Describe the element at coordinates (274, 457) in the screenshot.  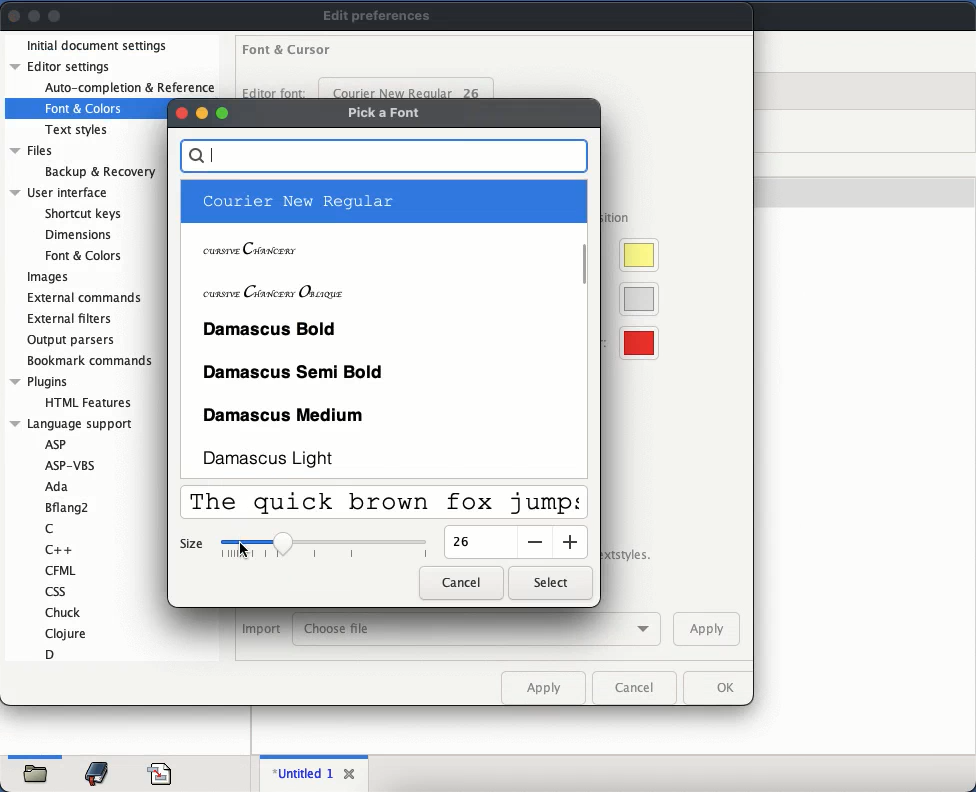
I see `Damascus Light` at that location.